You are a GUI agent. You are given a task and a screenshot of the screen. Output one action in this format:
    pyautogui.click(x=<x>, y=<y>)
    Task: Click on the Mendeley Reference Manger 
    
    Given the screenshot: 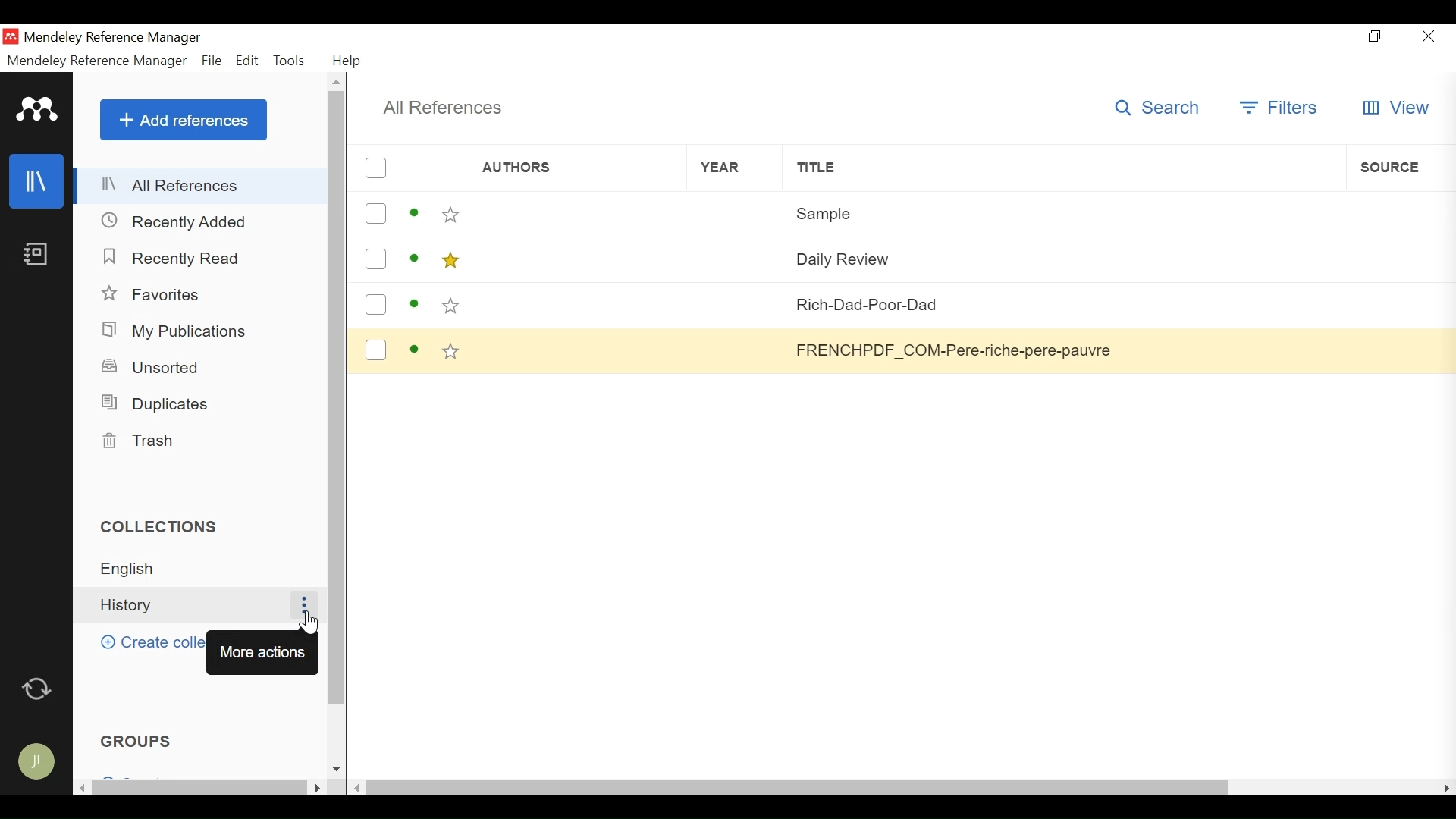 What is the action you would take?
    pyautogui.click(x=97, y=61)
    